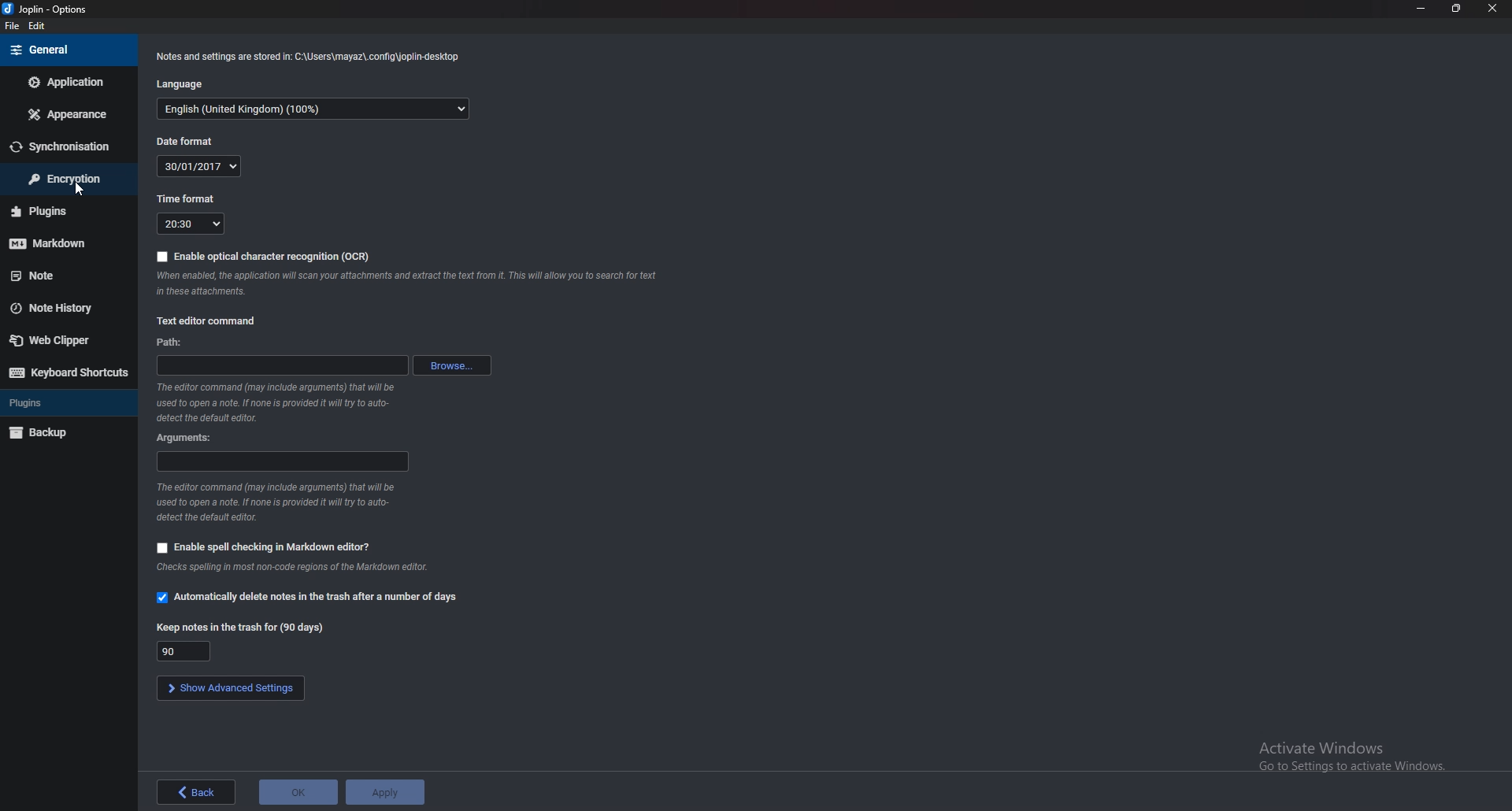 The image size is (1512, 811). I want to click on date format, so click(198, 166).